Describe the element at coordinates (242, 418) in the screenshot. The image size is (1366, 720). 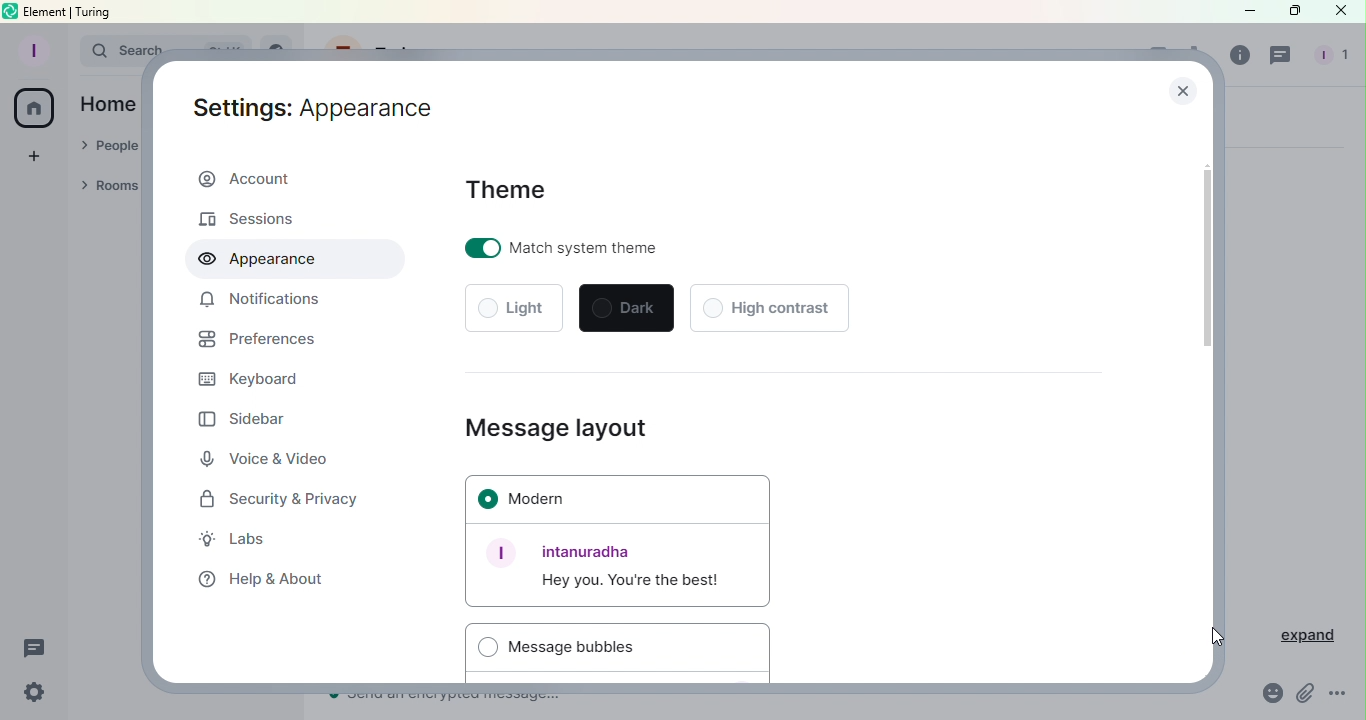
I see `Sidebar` at that location.